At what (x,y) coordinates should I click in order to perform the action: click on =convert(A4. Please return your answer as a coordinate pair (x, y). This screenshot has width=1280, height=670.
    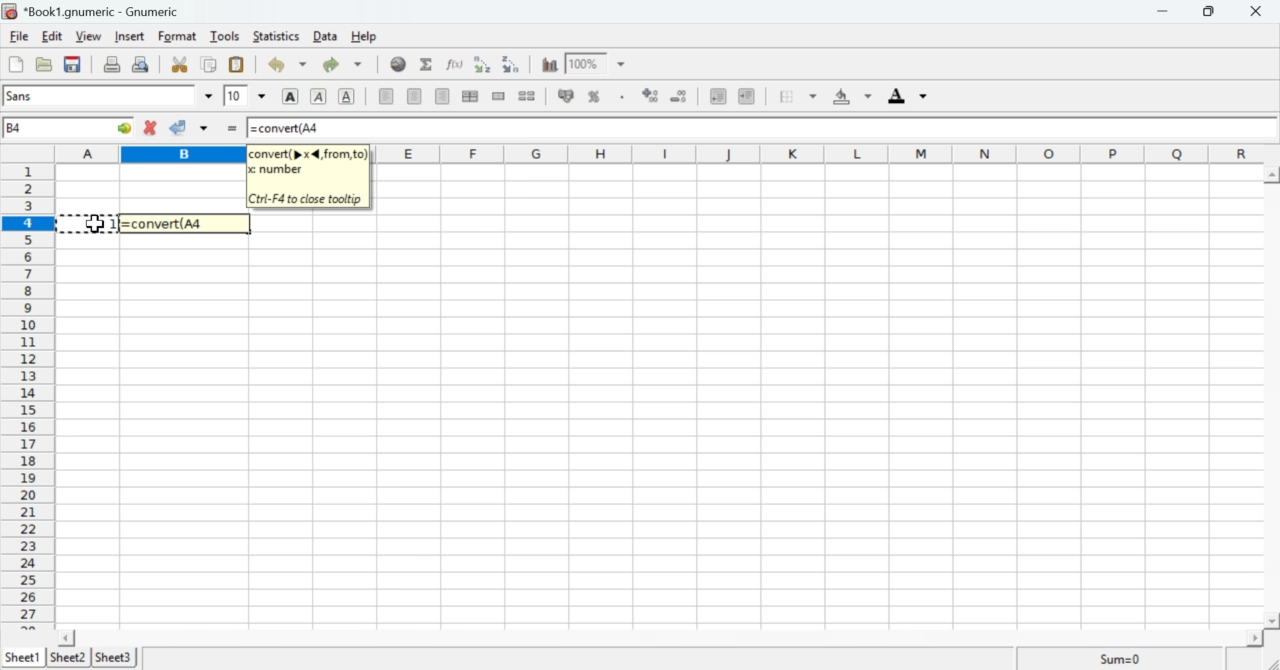
    Looking at the image, I should click on (763, 127).